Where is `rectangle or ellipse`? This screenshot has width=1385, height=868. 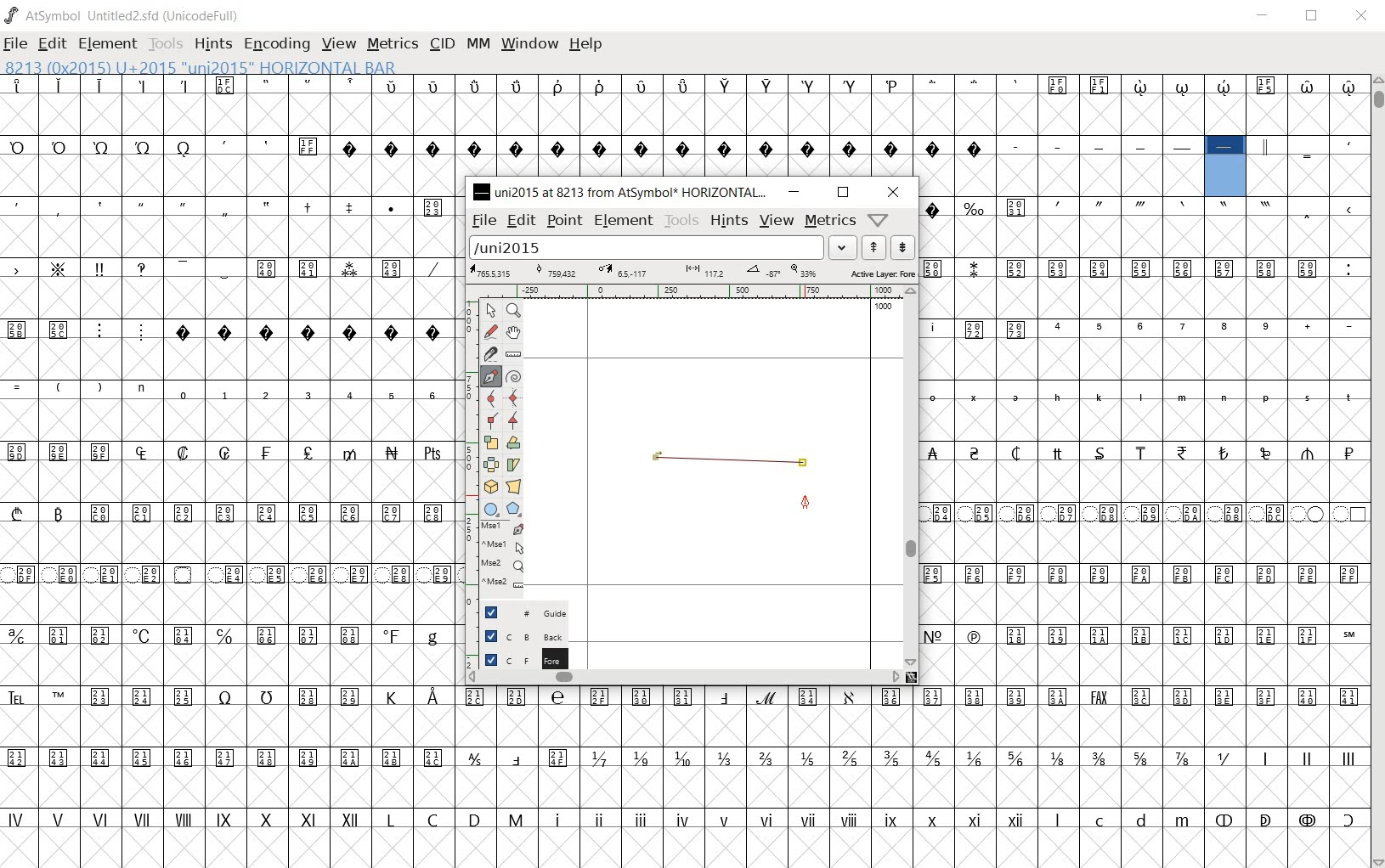
rectangle or ellipse is located at coordinates (489, 509).